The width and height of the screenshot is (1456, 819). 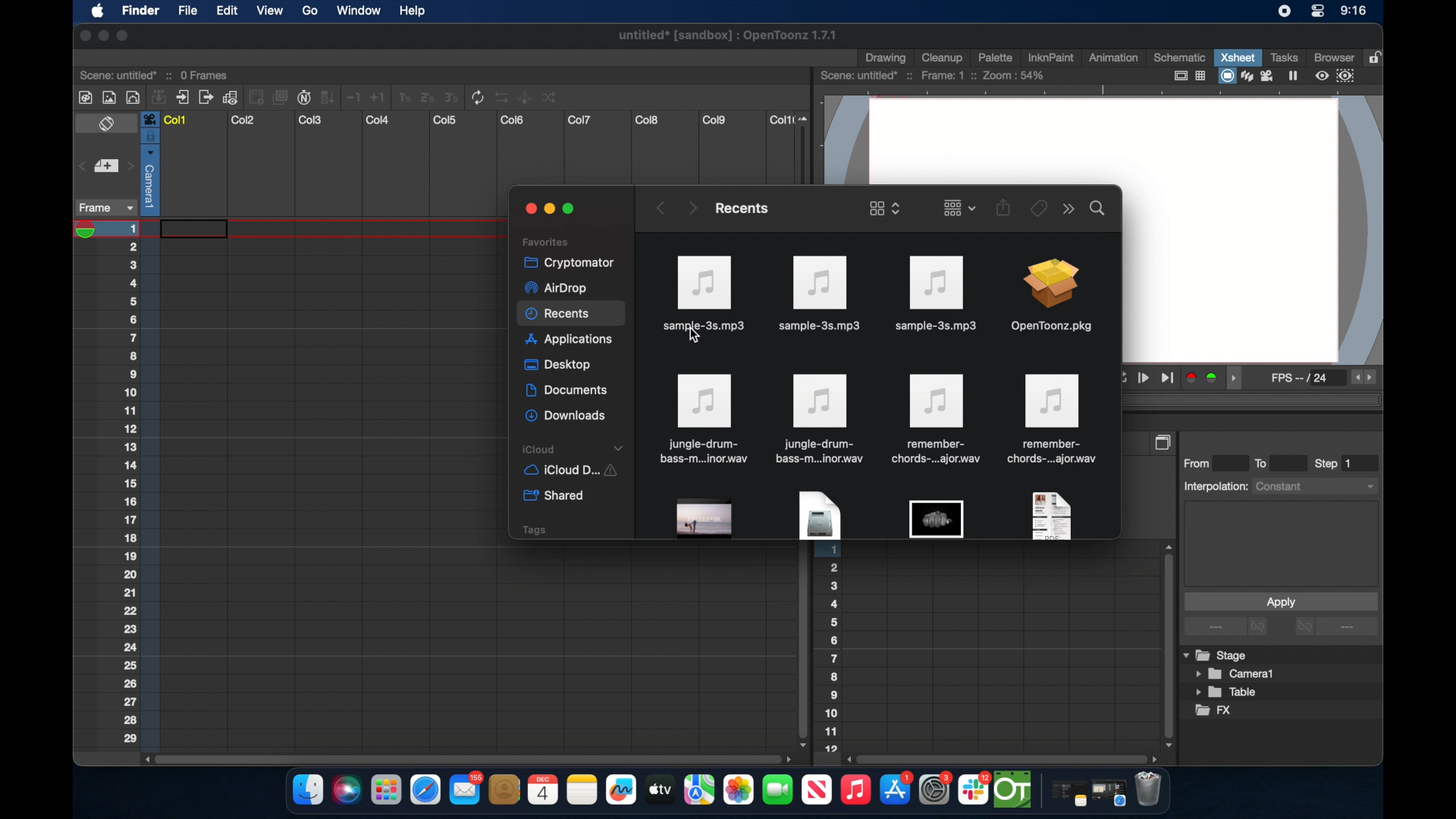 What do you see at coordinates (1228, 627) in the screenshot?
I see `more  options` at bounding box center [1228, 627].